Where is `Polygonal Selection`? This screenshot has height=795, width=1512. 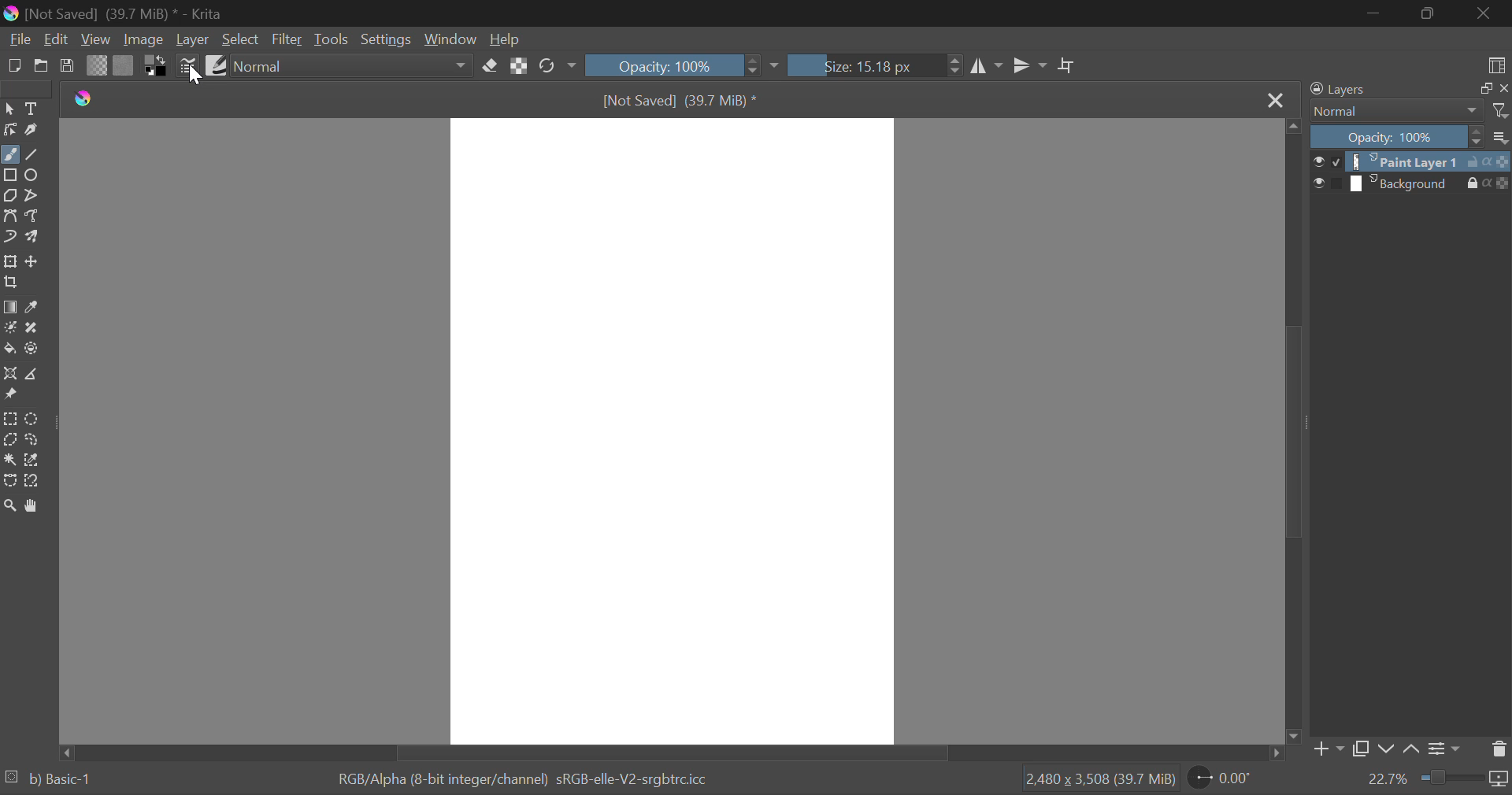
Polygonal Selection is located at coordinates (9, 439).